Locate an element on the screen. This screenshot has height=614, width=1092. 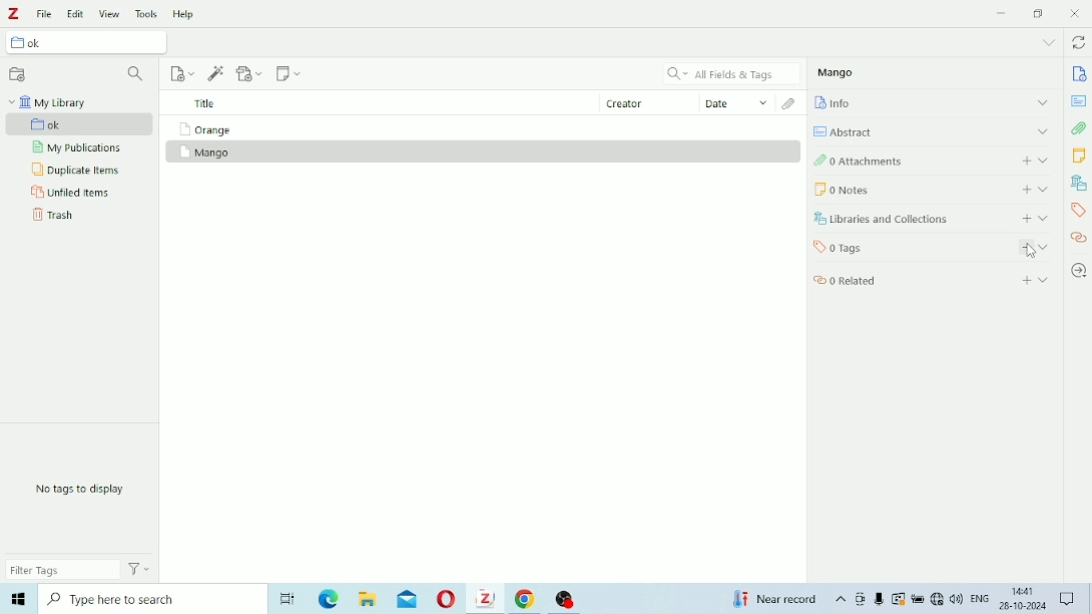
Abstract is located at coordinates (933, 129).